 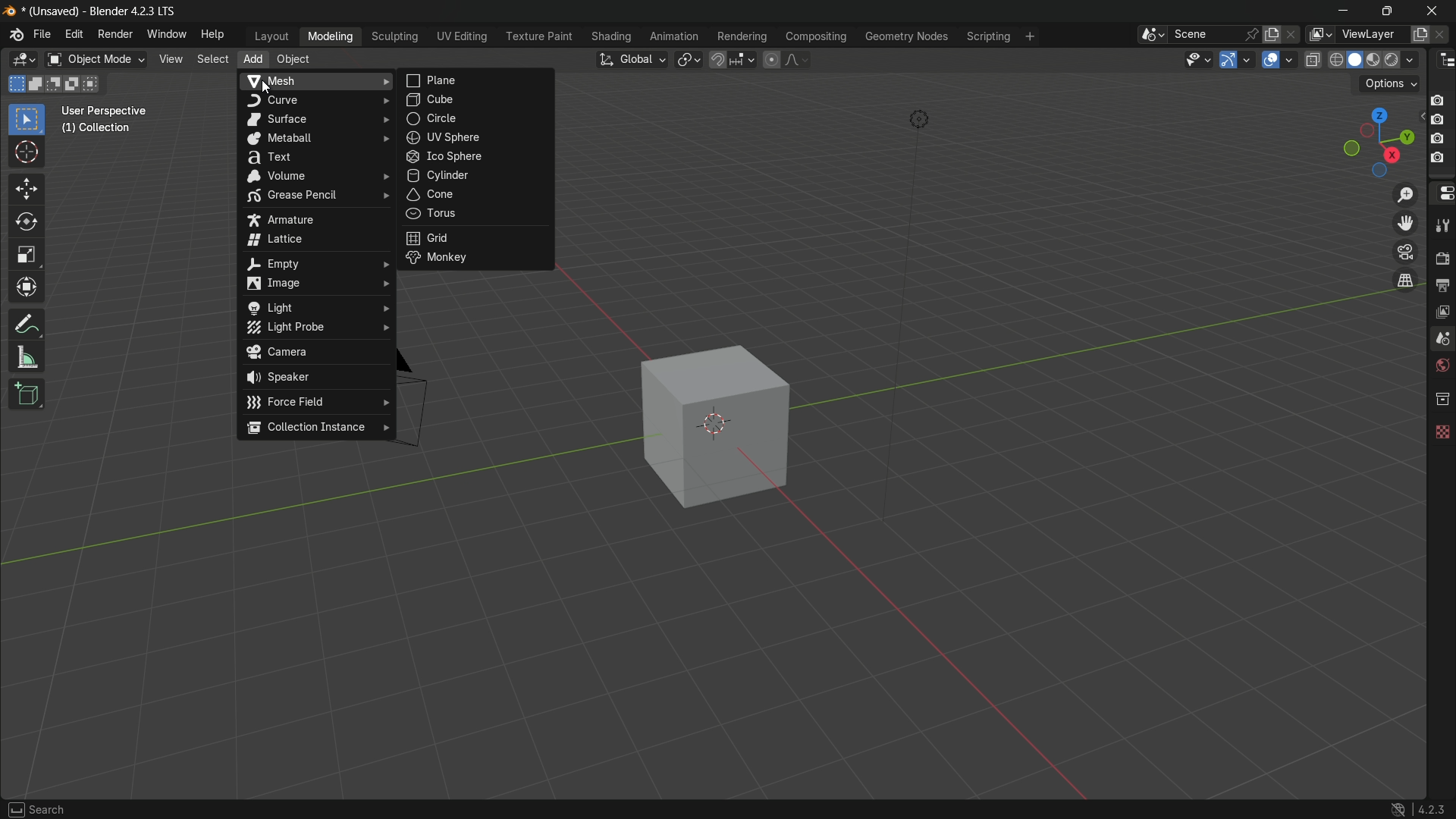 I want to click on circle, so click(x=477, y=121).